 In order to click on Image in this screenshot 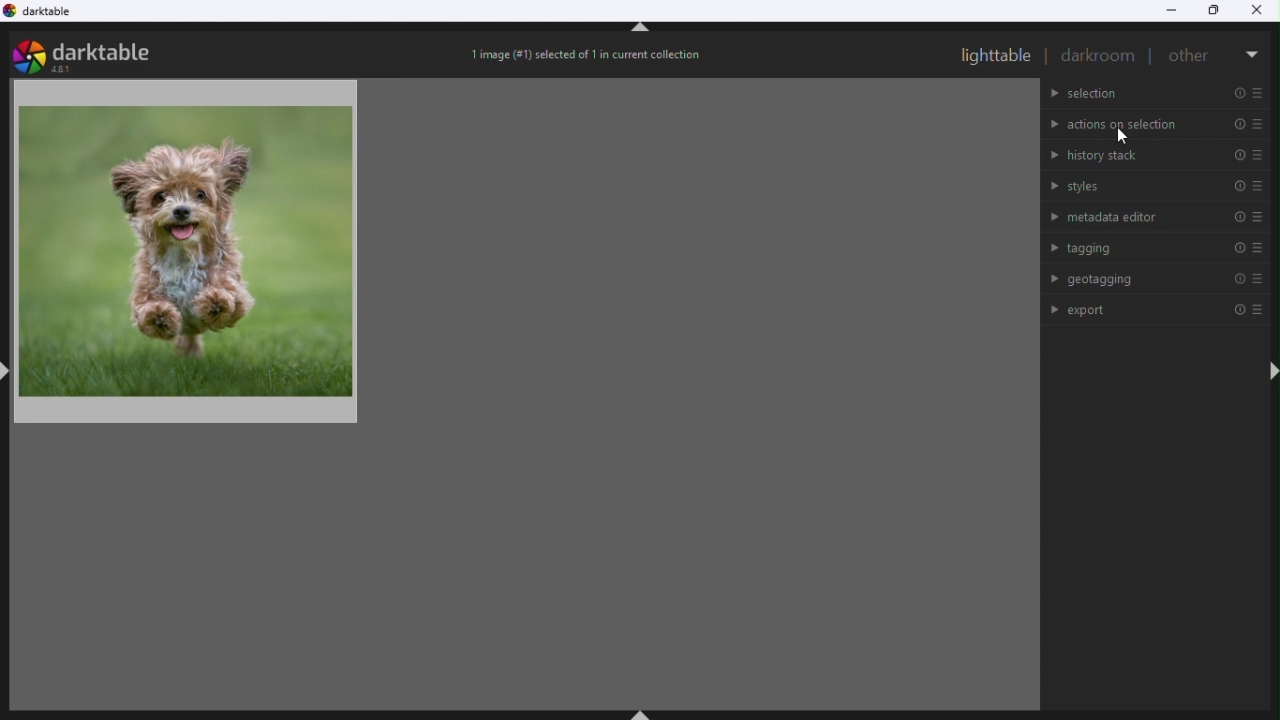, I will do `click(231, 287)`.